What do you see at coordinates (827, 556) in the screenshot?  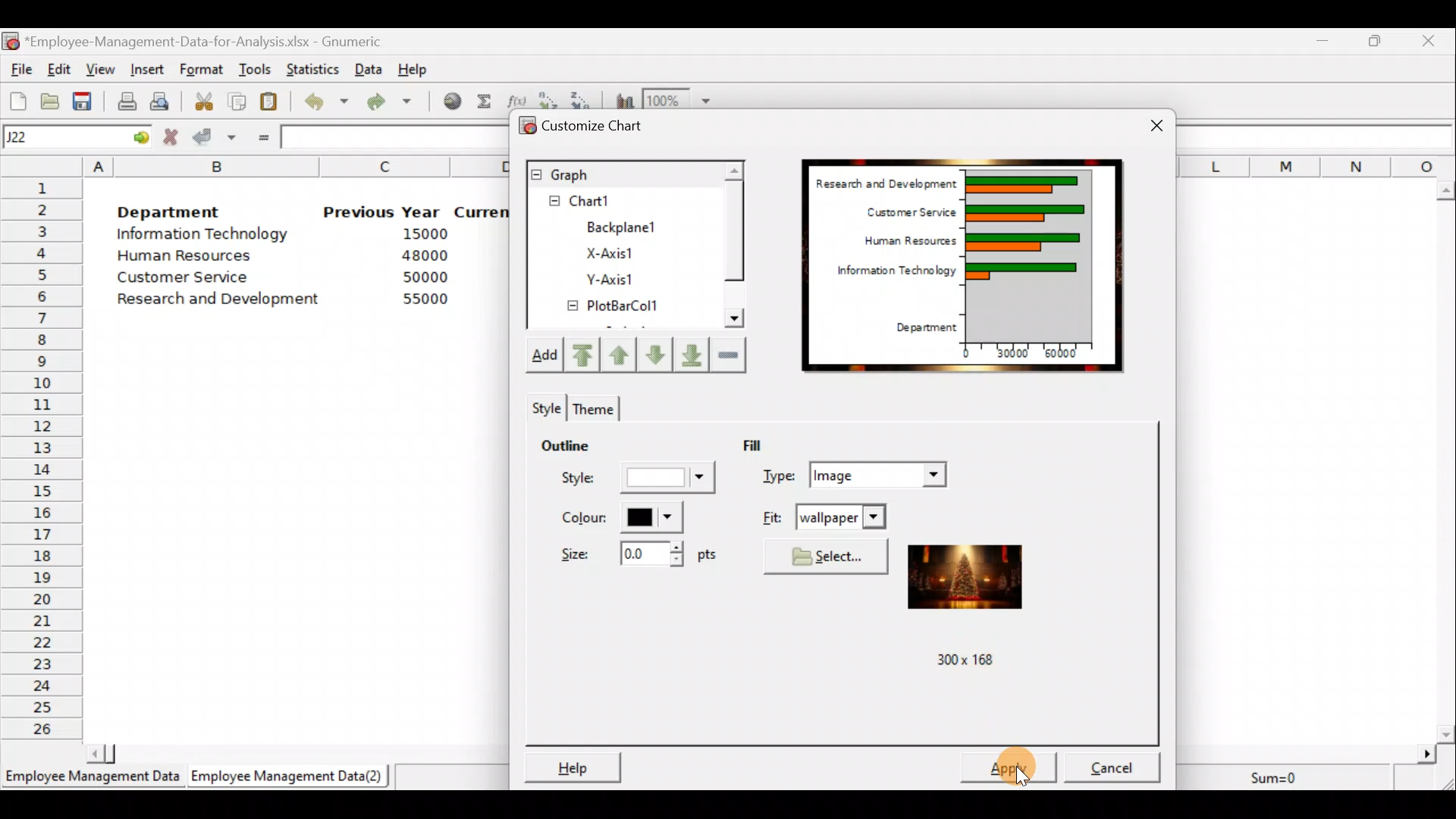 I see `Select` at bounding box center [827, 556].